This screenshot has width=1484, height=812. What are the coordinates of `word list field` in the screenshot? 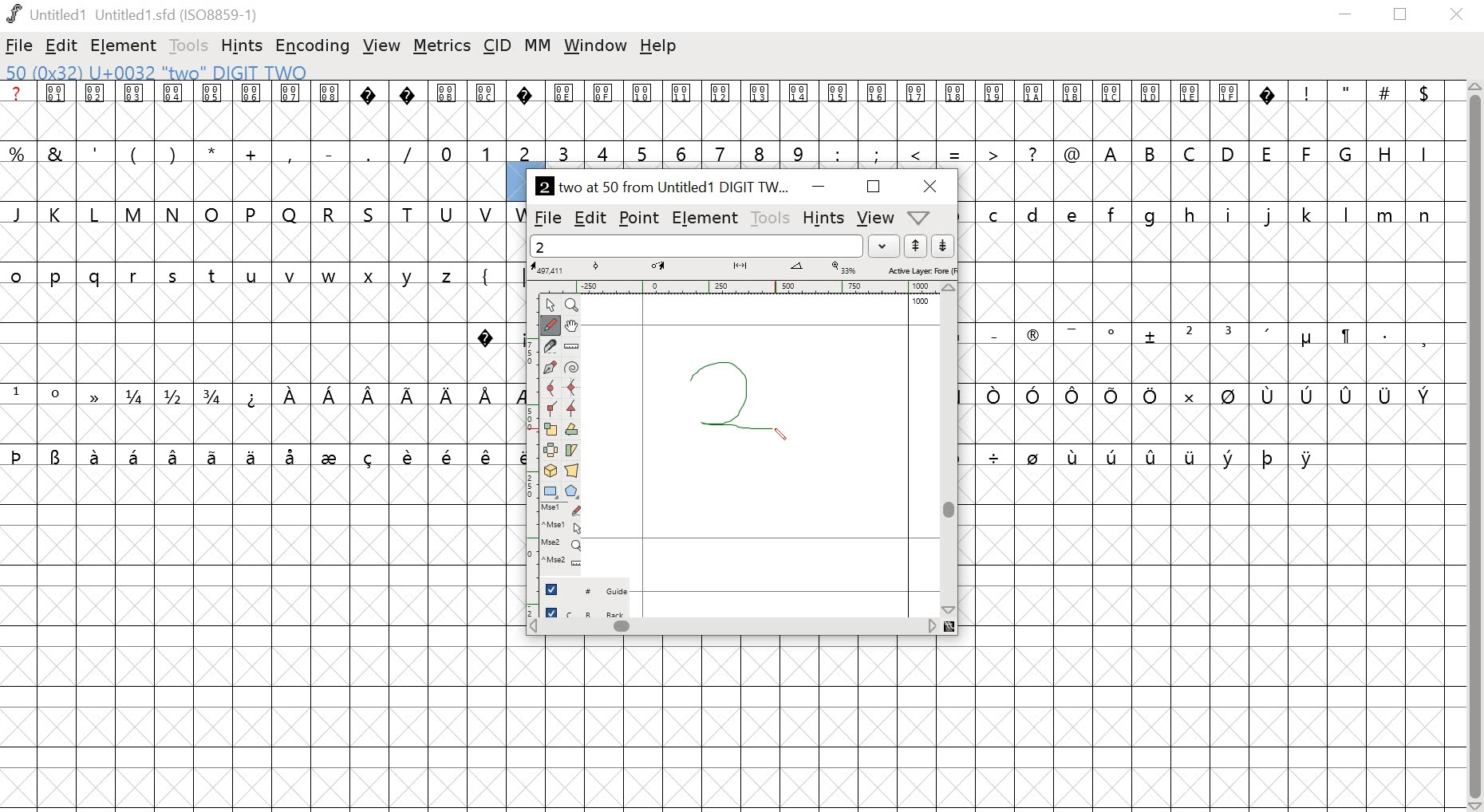 It's located at (697, 246).